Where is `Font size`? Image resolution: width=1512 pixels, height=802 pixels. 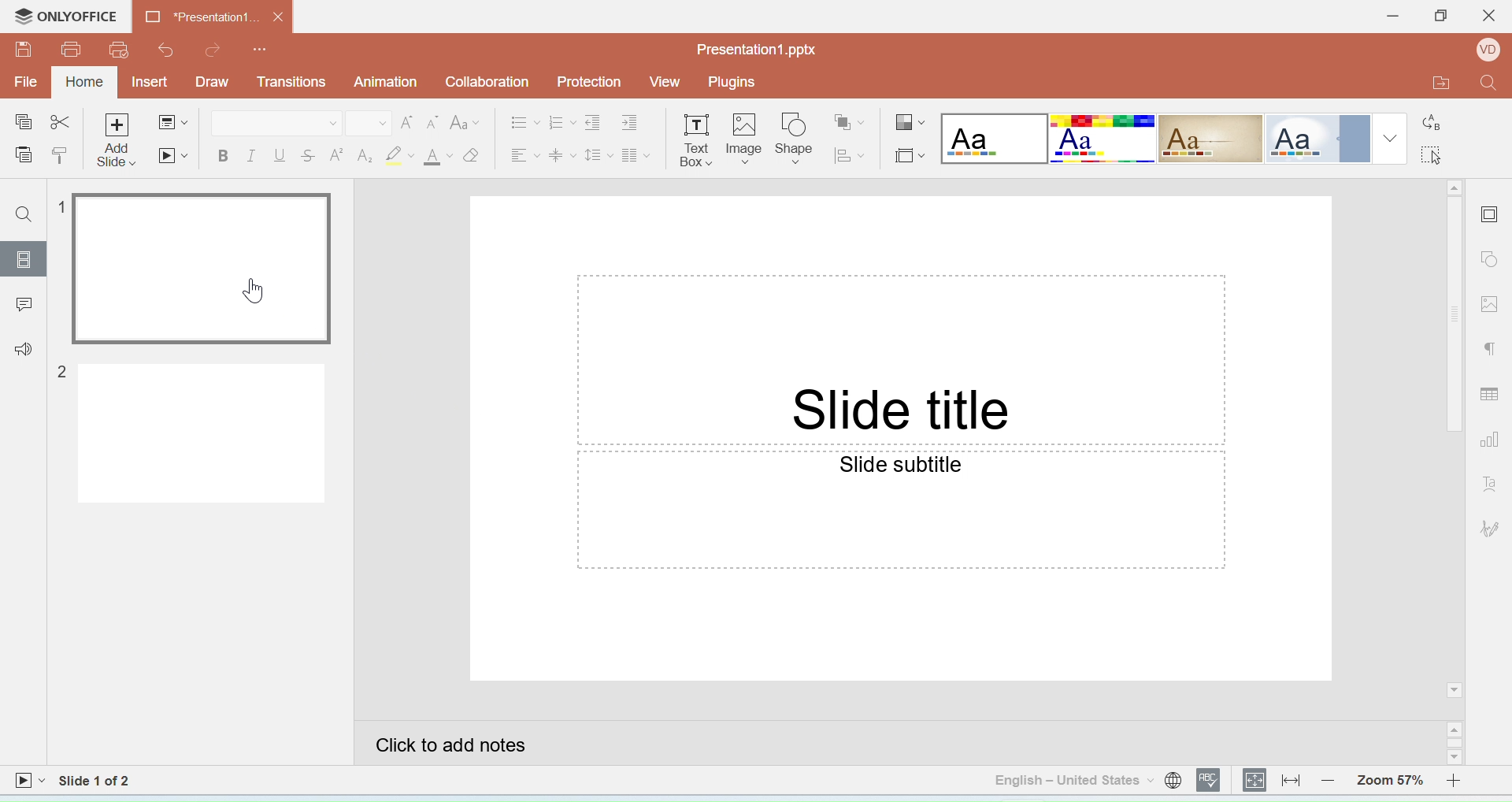
Font size is located at coordinates (369, 124).